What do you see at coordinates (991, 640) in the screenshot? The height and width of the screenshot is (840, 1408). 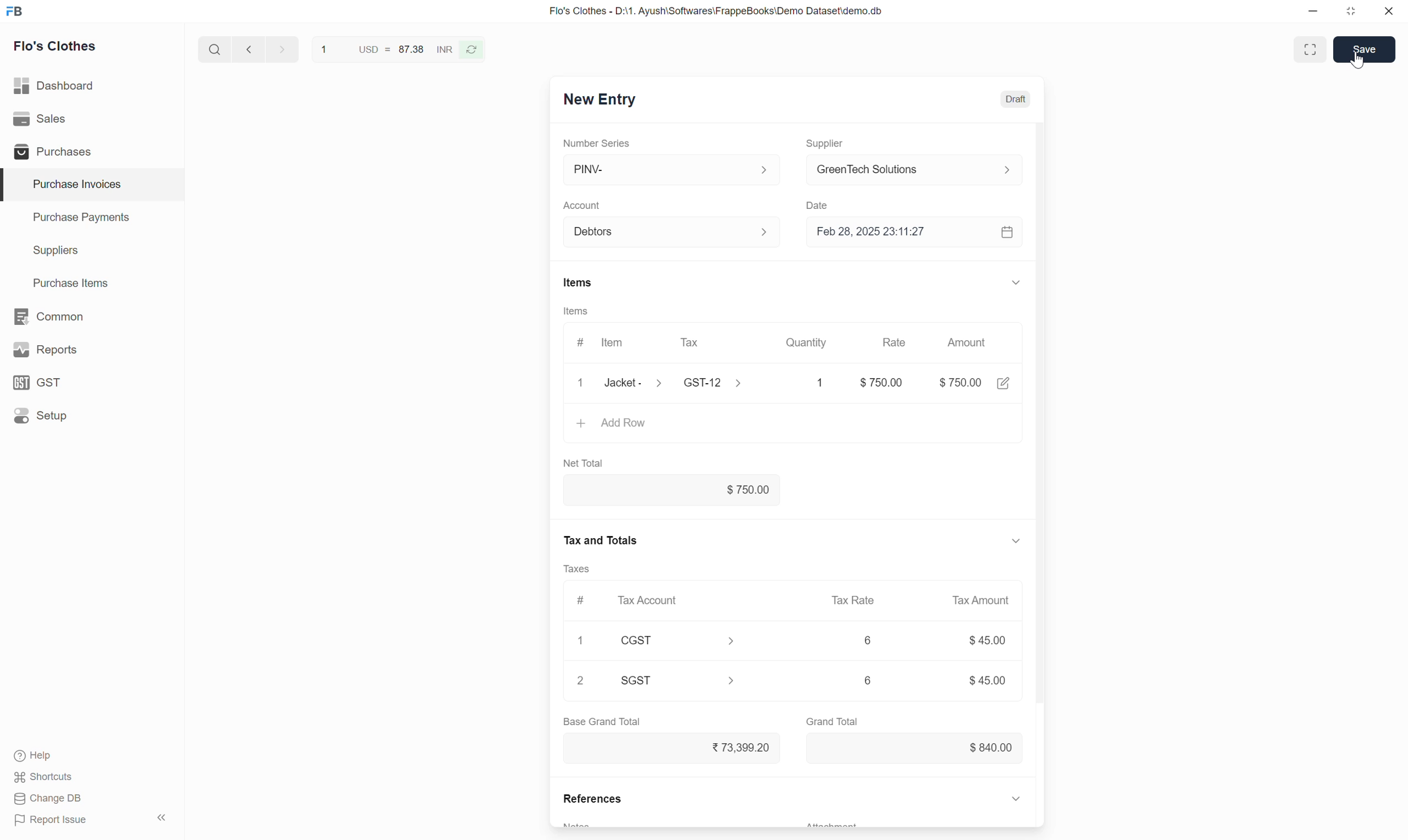 I see `$45.00` at bounding box center [991, 640].